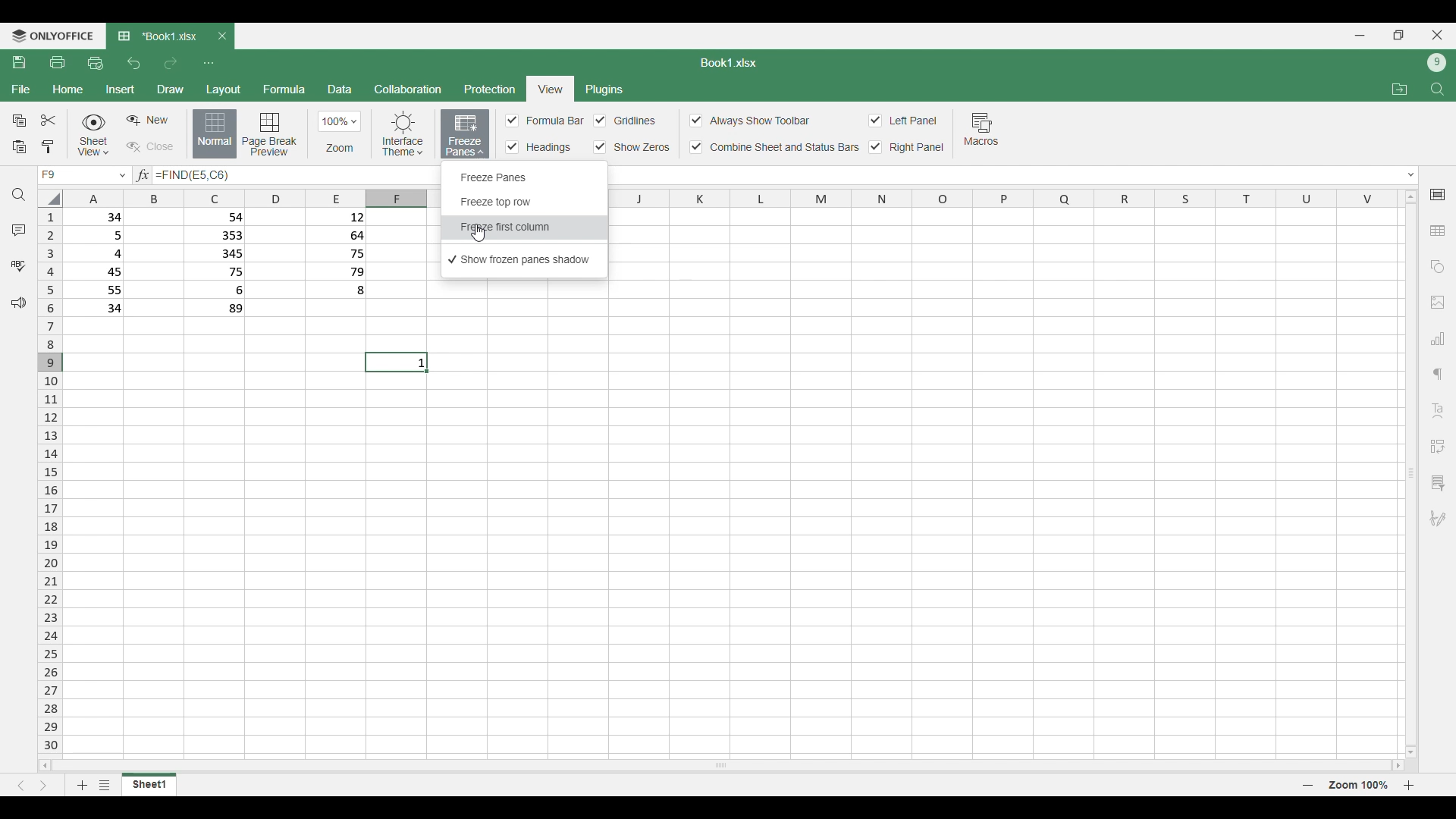 The image size is (1456, 819). What do you see at coordinates (52, 36) in the screenshot?
I see `Software logo and name: onlyoffice` at bounding box center [52, 36].